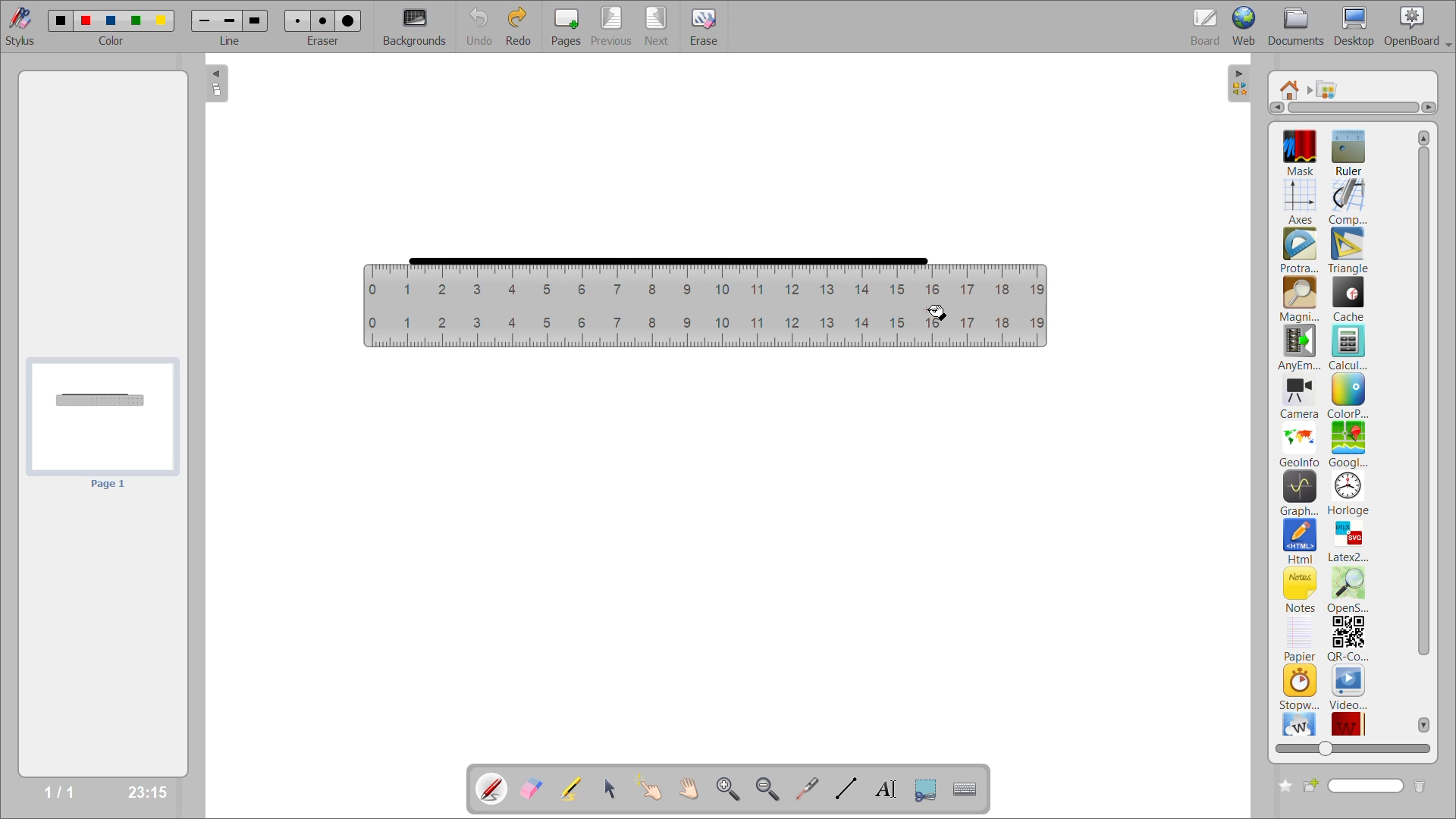  I want to click on horizontal scroll bar, so click(1353, 108).